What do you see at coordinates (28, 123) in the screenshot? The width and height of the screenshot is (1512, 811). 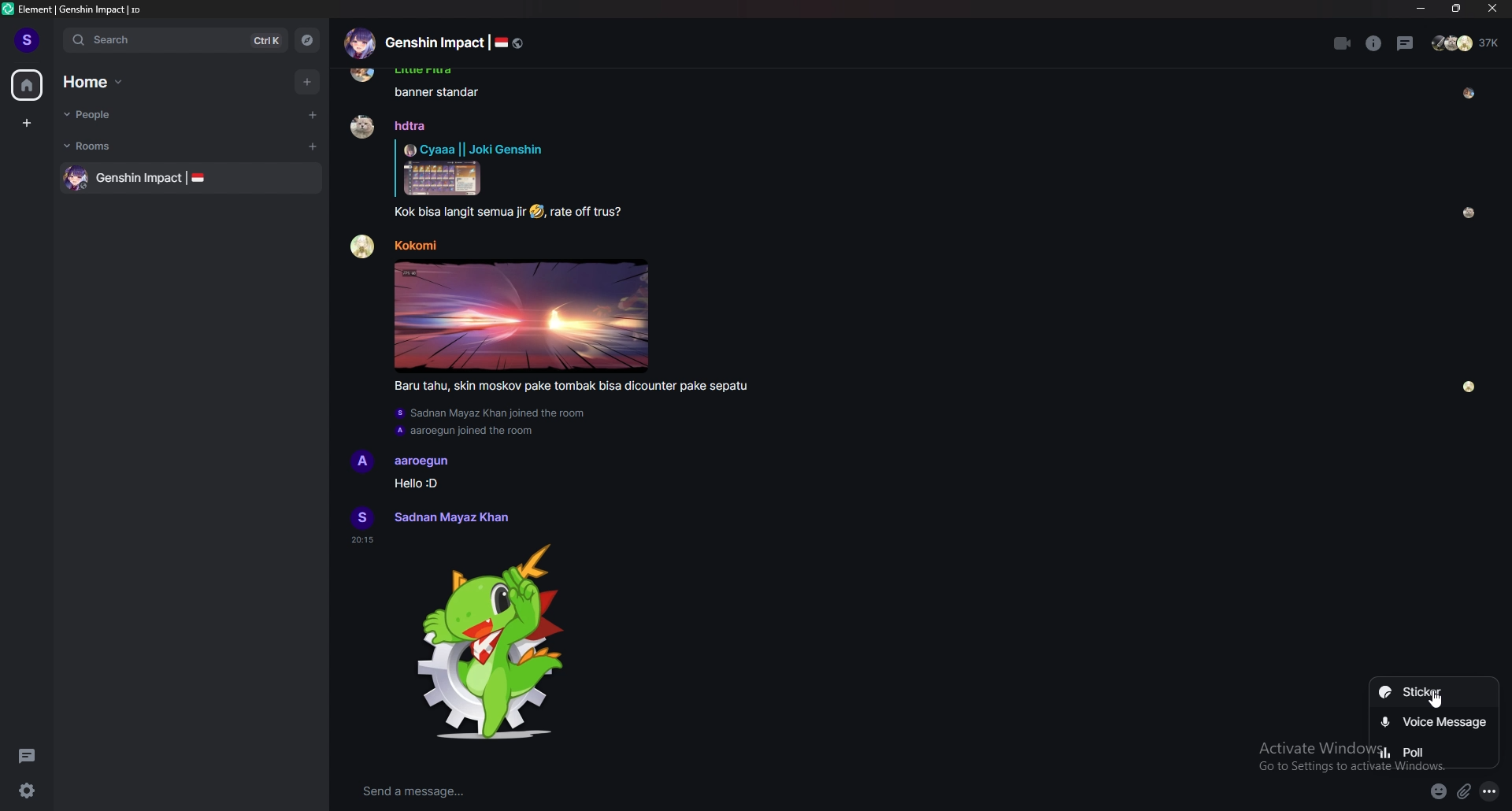 I see `create a space` at bounding box center [28, 123].